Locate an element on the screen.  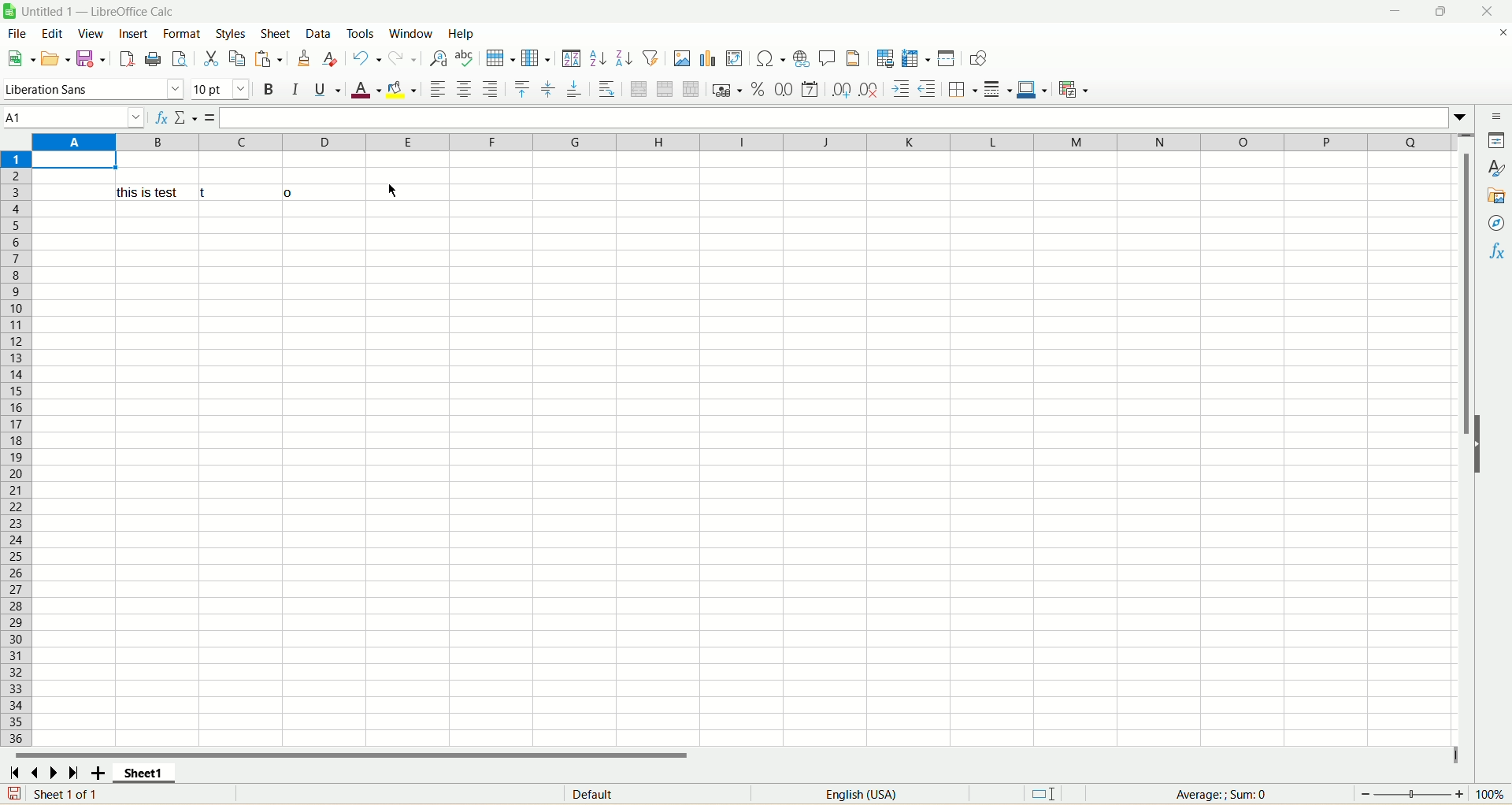
open is located at coordinates (53, 60).